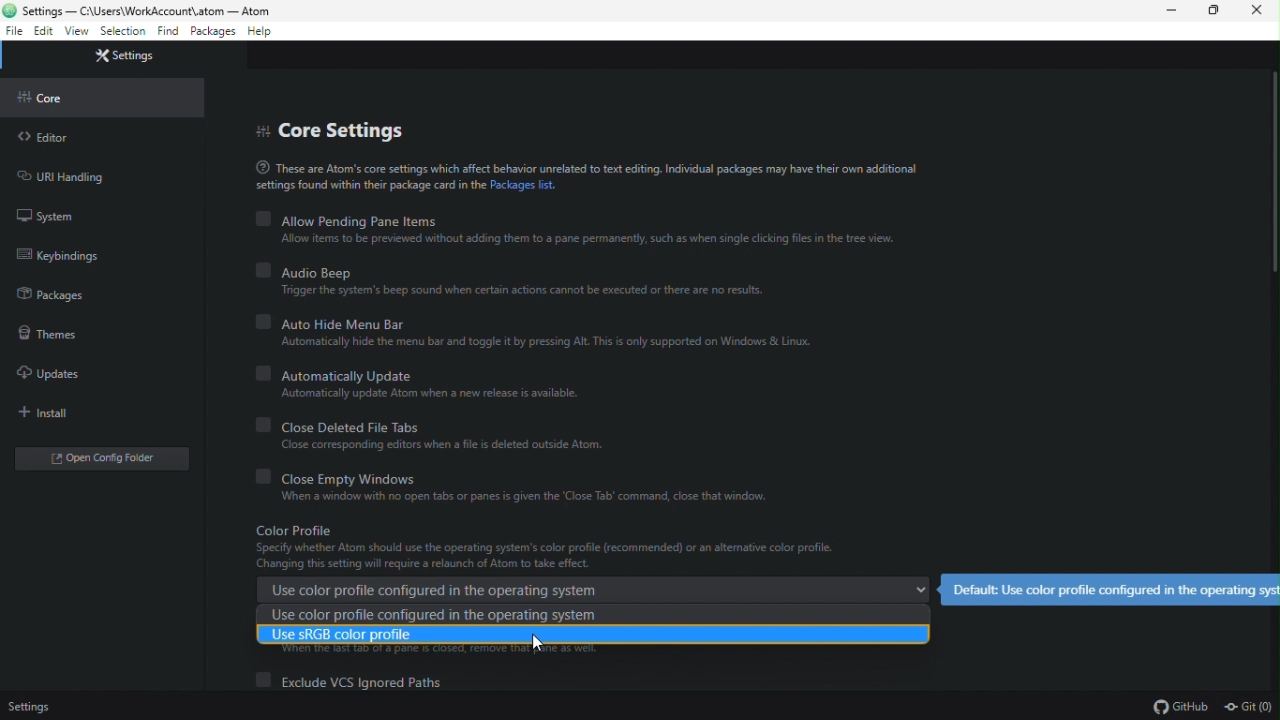  Describe the element at coordinates (543, 642) in the screenshot. I see `cursor` at that location.